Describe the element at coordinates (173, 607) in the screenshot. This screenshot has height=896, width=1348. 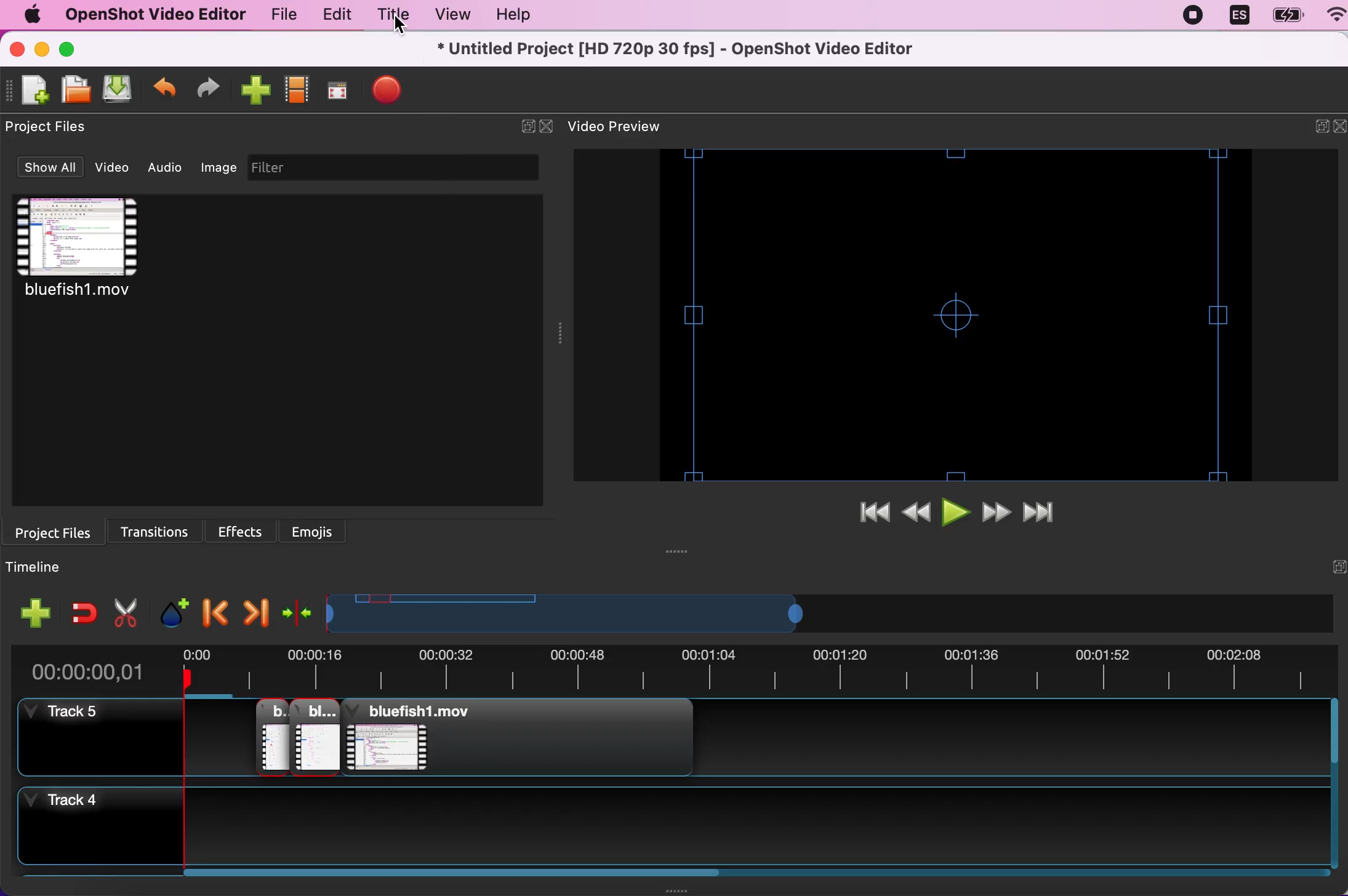
I see `add marker` at that location.